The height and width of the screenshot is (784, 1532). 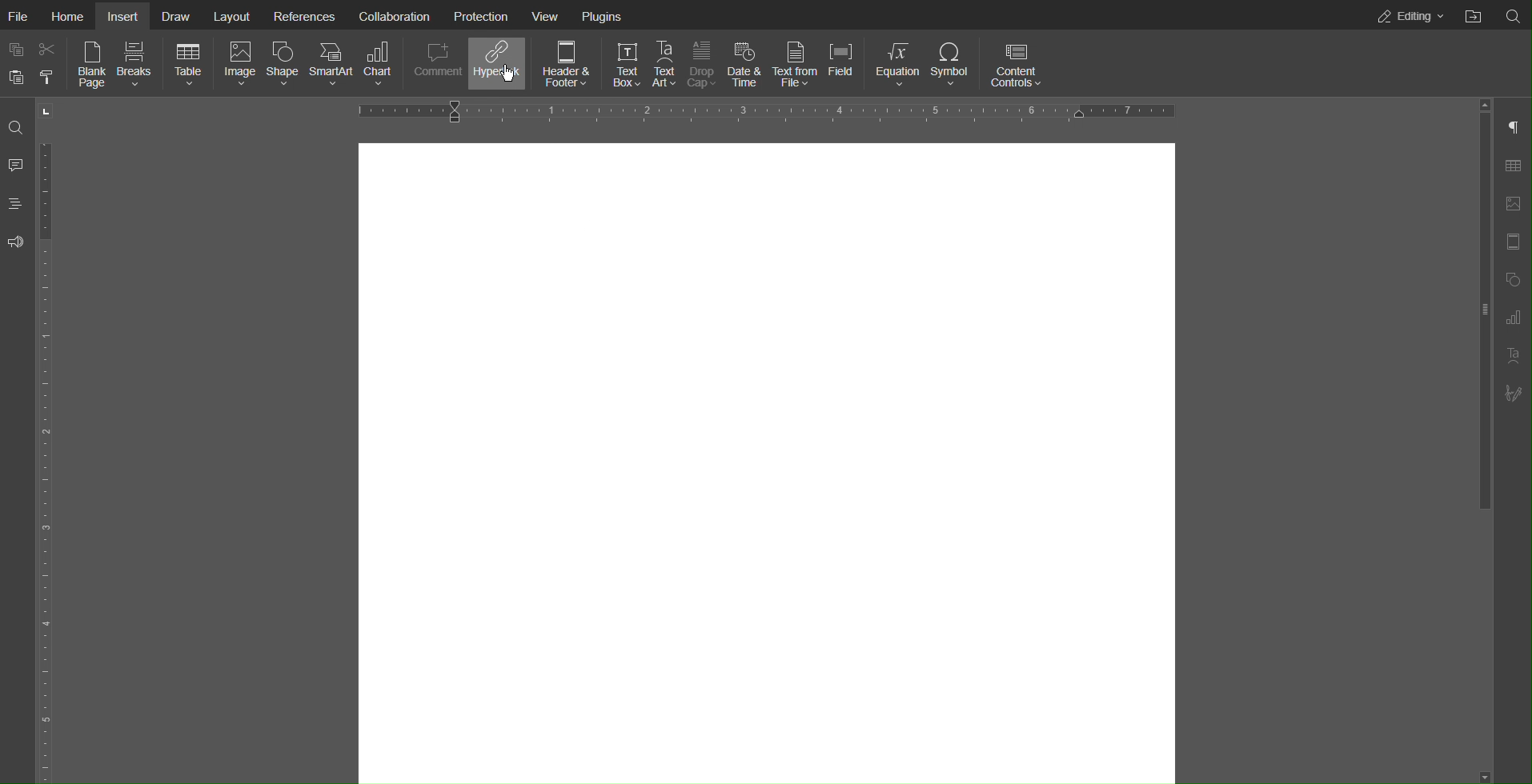 What do you see at coordinates (51, 460) in the screenshot?
I see `Vertical Ruler` at bounding box center [51, 460].